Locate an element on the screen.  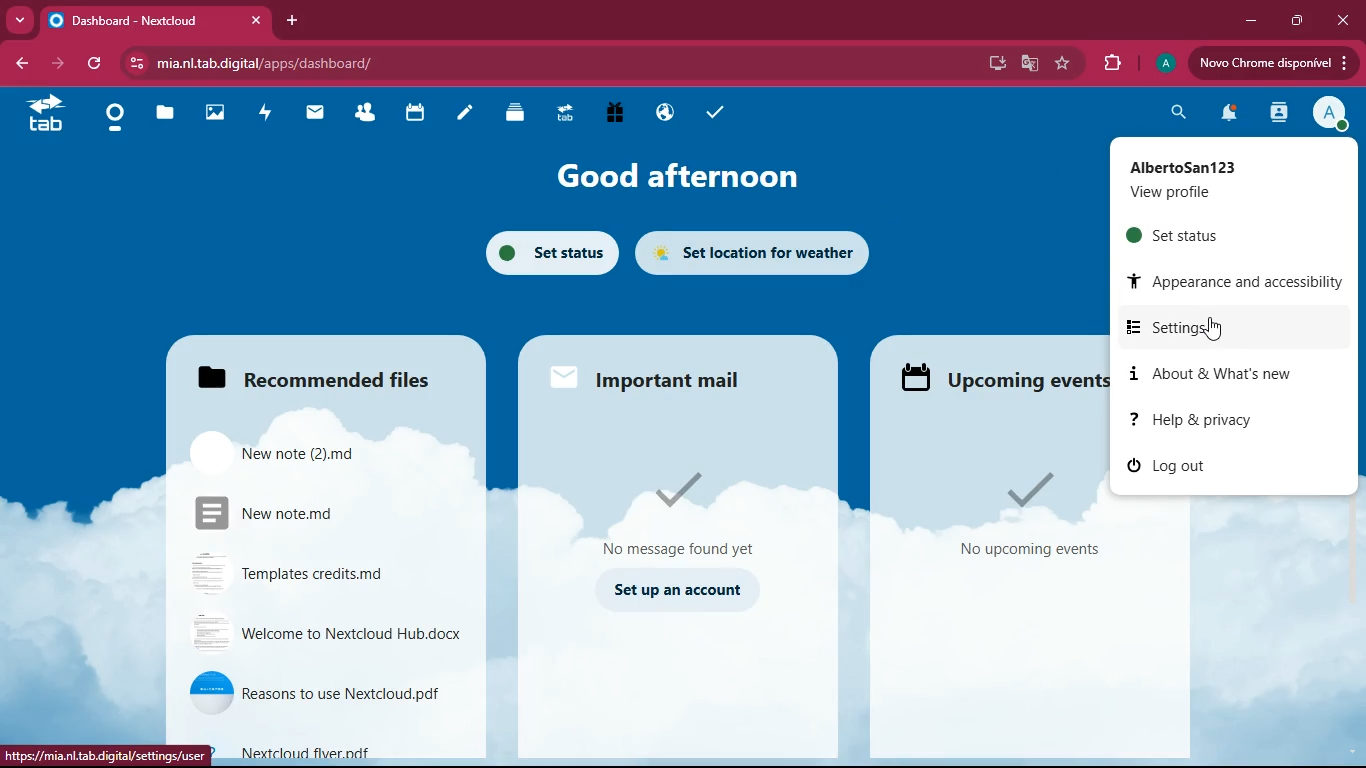
good afternoon  is located at coordinates (674, 177).